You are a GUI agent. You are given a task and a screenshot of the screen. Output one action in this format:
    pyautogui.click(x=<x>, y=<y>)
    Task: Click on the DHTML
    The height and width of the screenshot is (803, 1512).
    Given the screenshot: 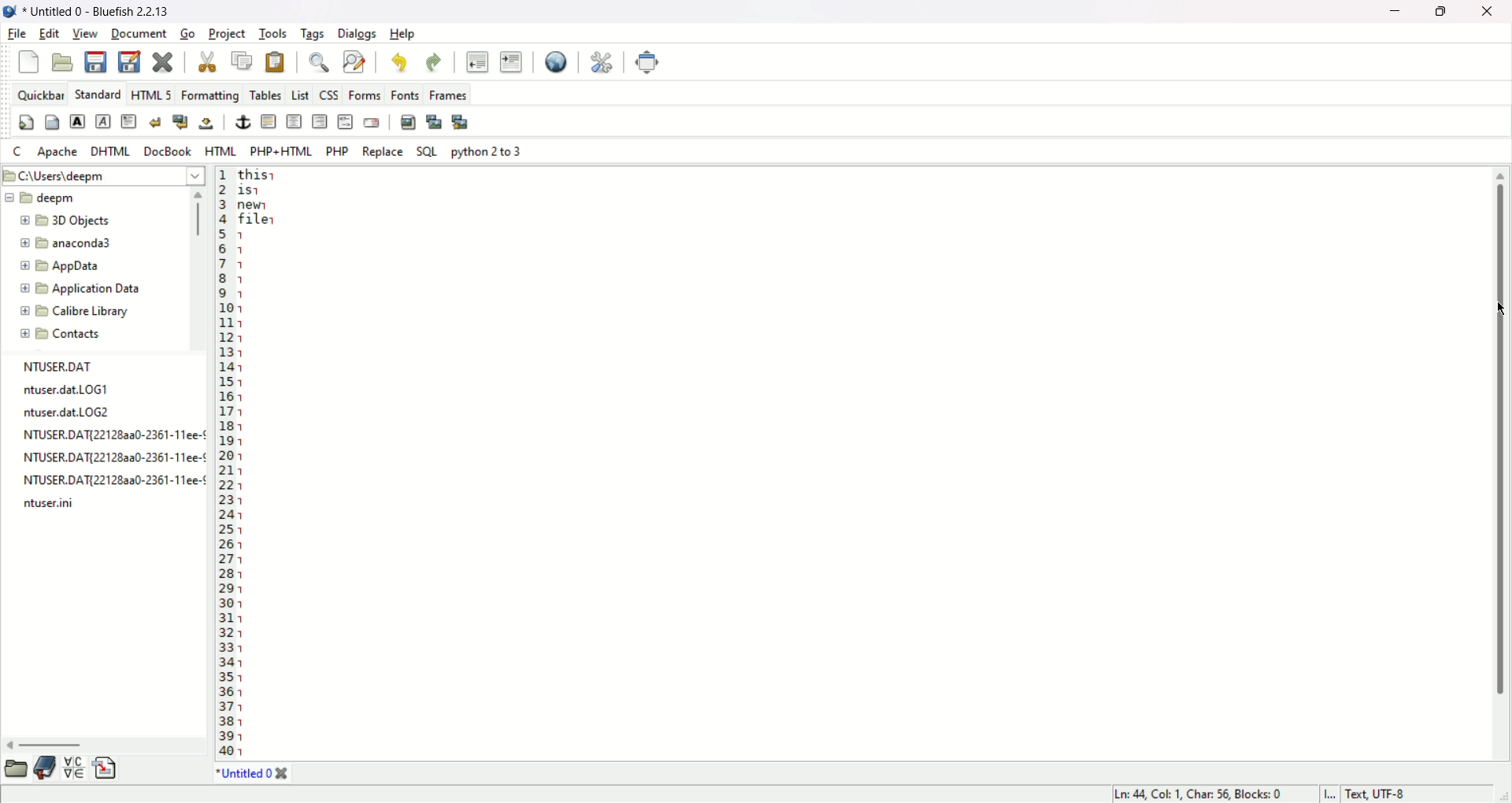 What is the action you would take?
    pyautogui.click(x=109, y=150)
    